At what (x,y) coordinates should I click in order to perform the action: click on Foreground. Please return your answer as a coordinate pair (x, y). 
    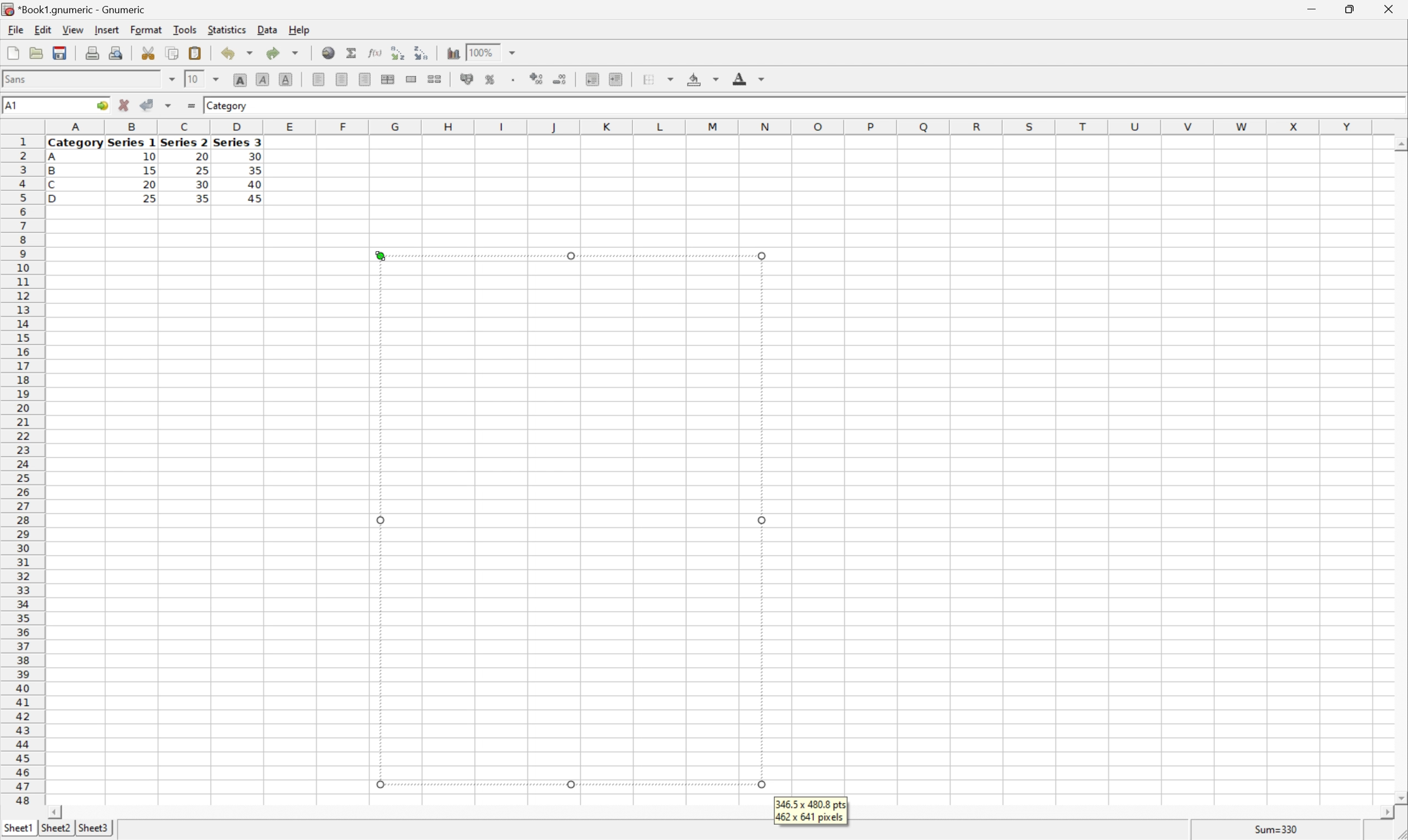
    Looking at the image, I should click on (747, 77).